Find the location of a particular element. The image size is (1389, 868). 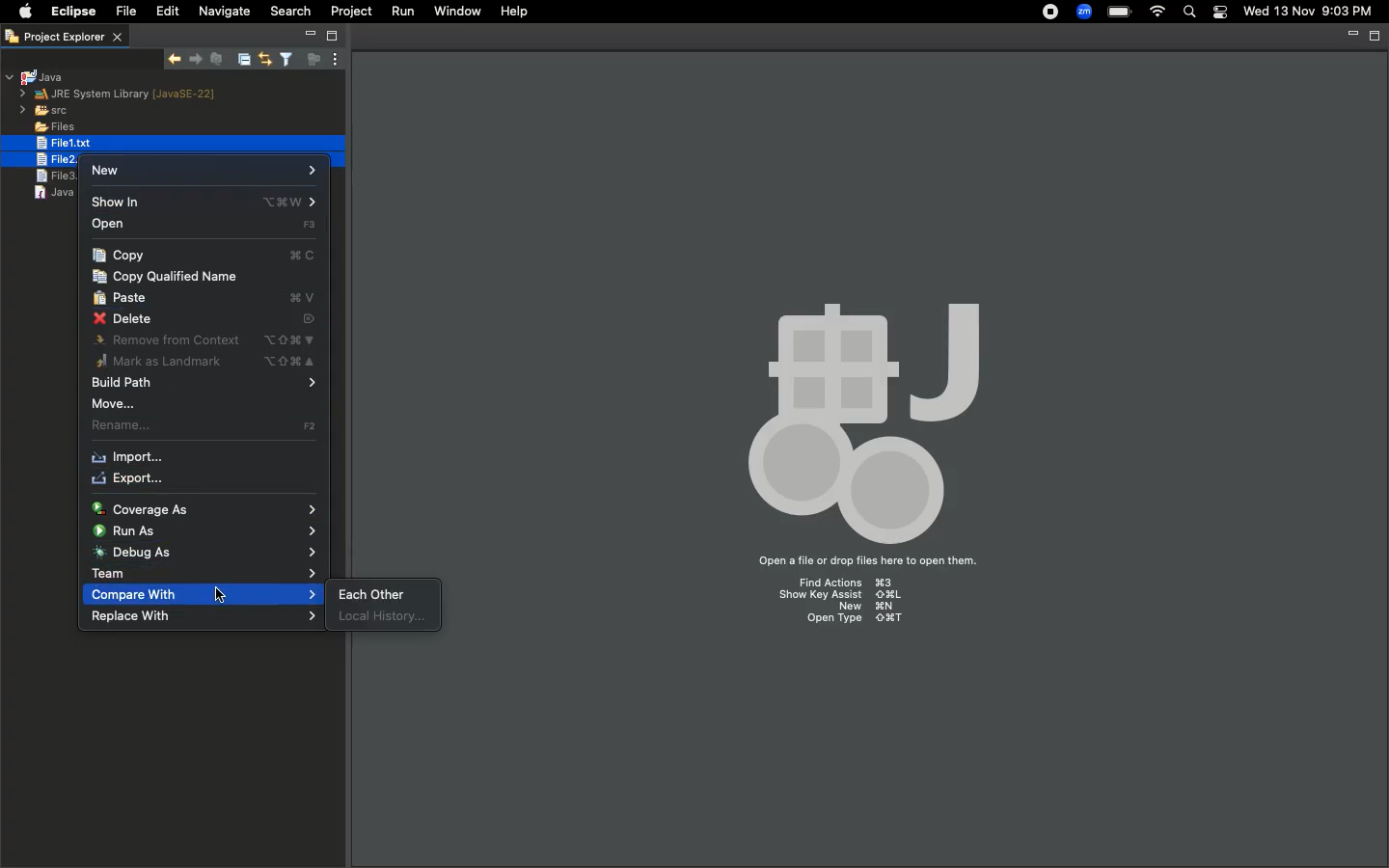

Export is located at coordinates (136, 478).